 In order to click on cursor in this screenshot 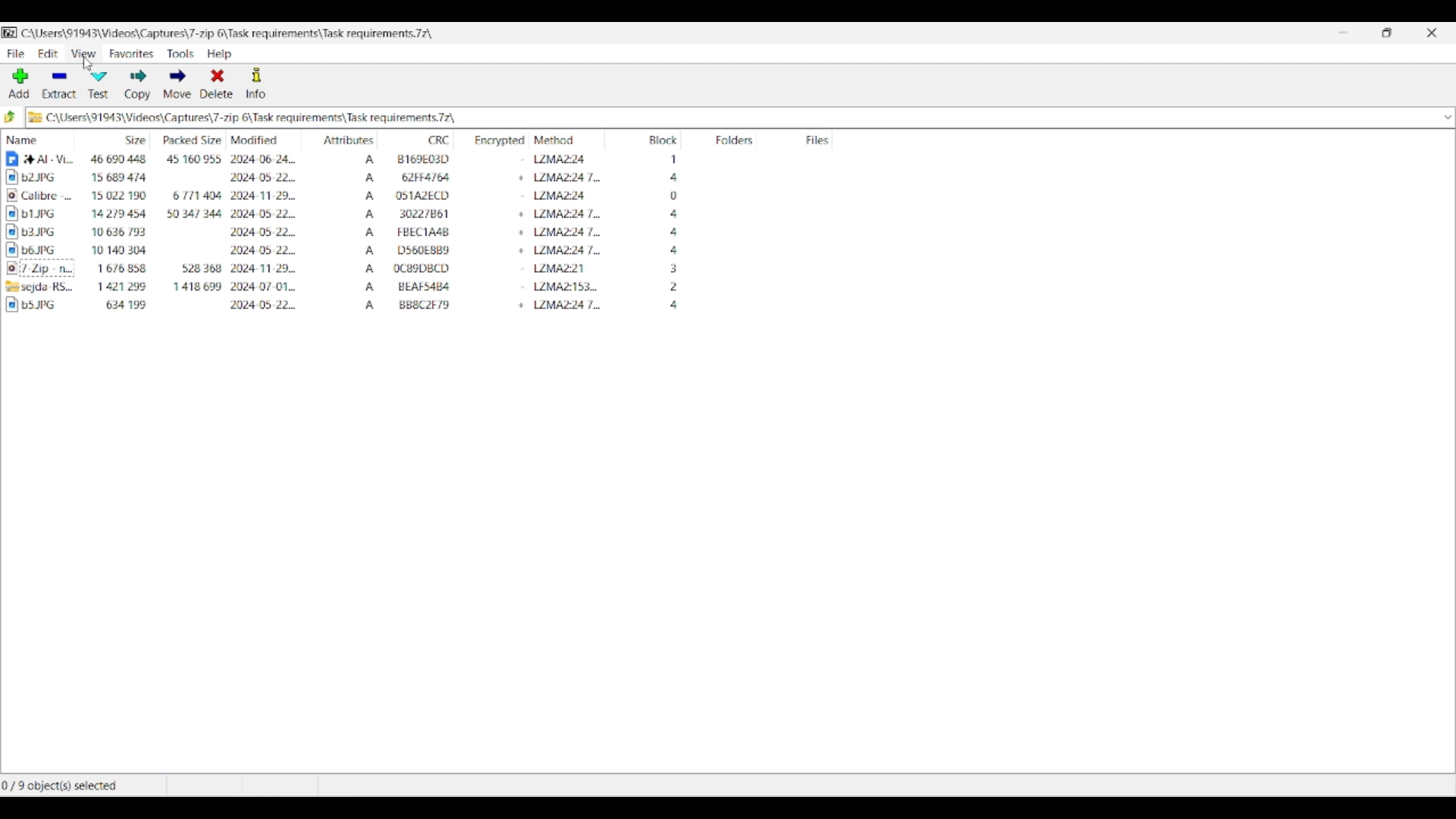, I will do `click(89, 65)`.